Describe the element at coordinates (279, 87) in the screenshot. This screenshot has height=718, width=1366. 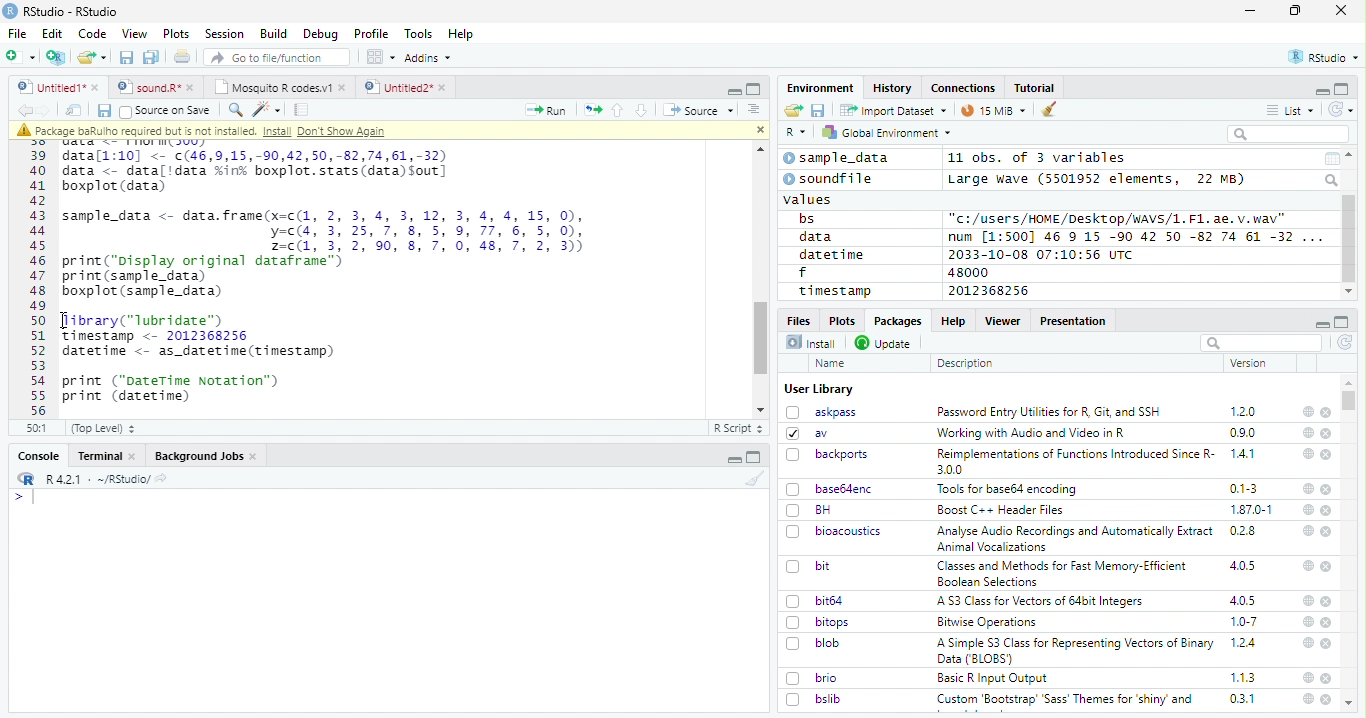
I see `Mosquito R codes.v1` at that location.